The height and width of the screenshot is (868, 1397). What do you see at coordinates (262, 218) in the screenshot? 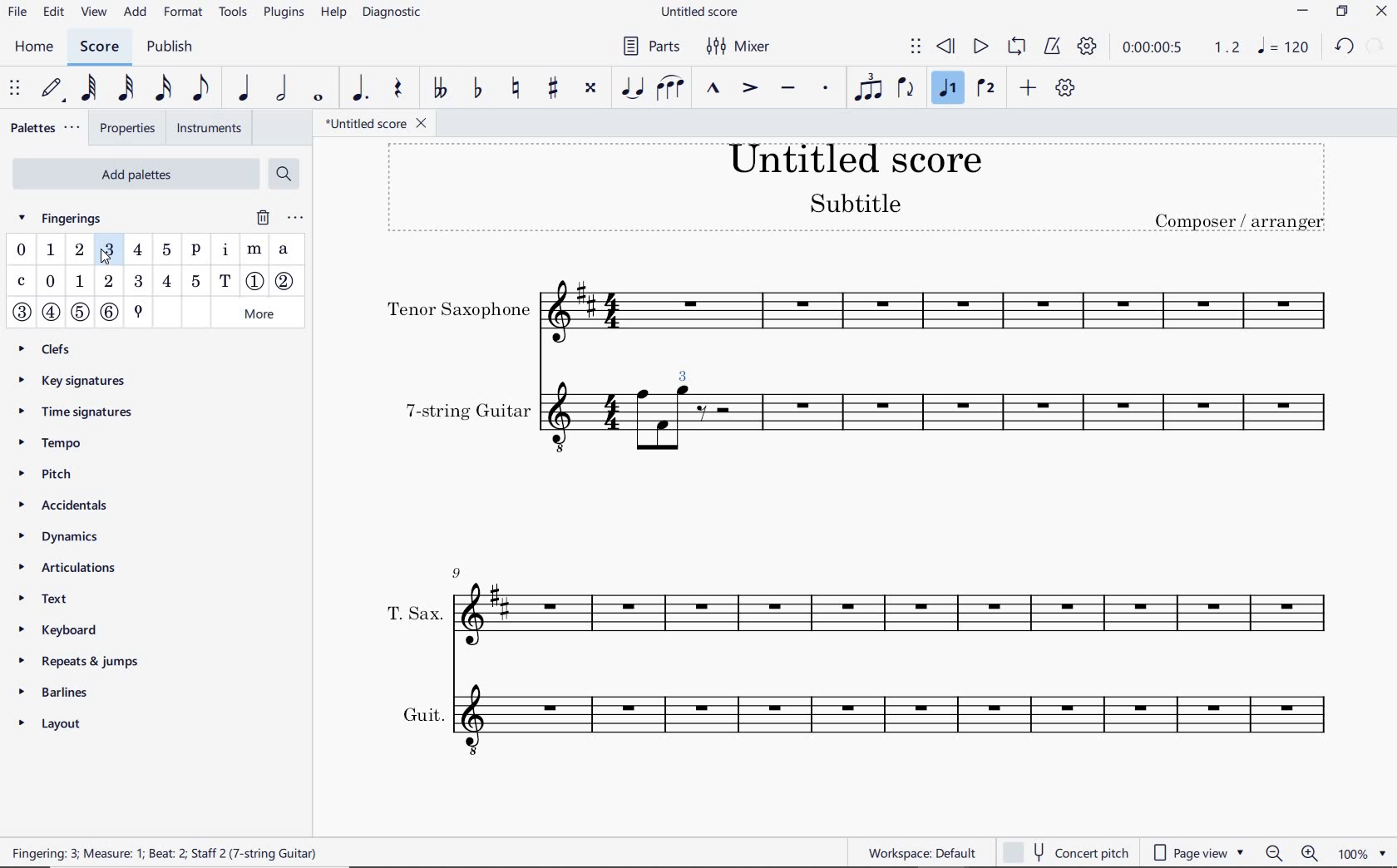
I see `delete` at bounding box center [262, 218].